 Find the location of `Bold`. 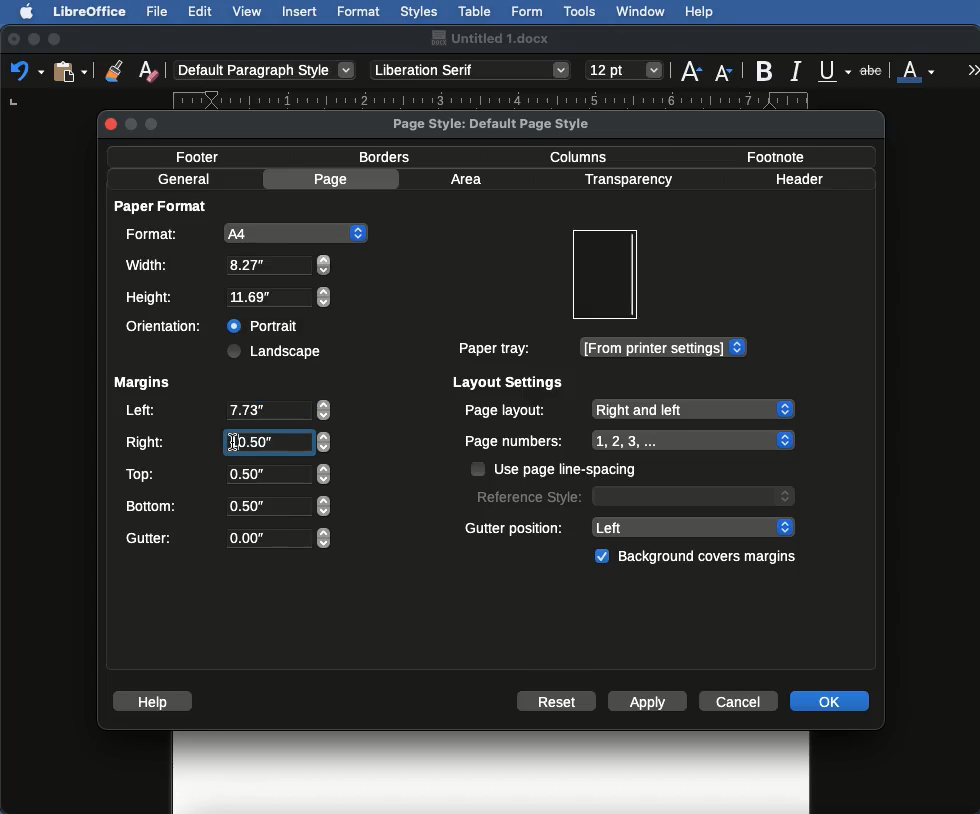

Bold is located at coordinates (766, 71).